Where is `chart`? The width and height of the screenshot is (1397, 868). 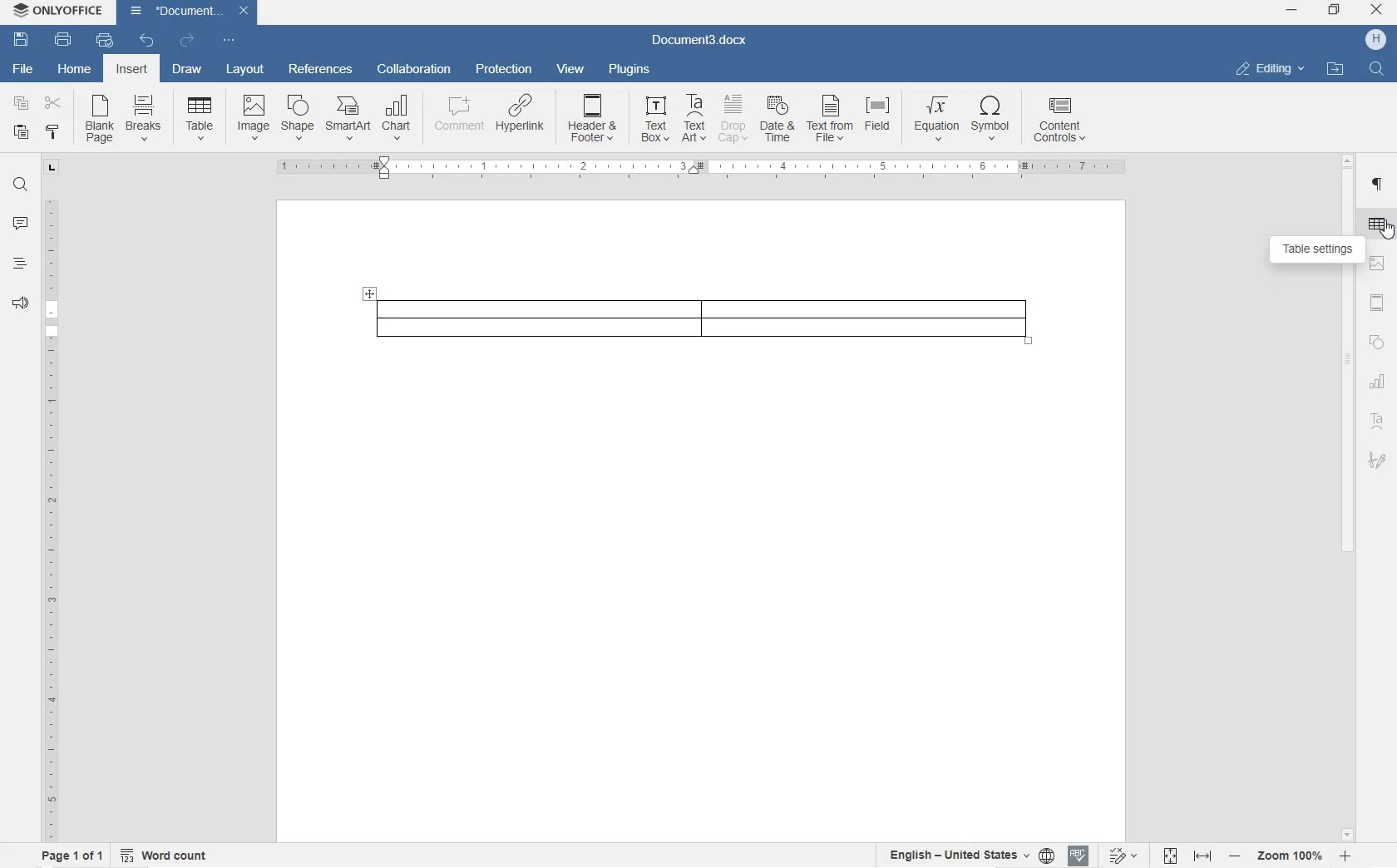 chart is located at coordinates (397, 118).